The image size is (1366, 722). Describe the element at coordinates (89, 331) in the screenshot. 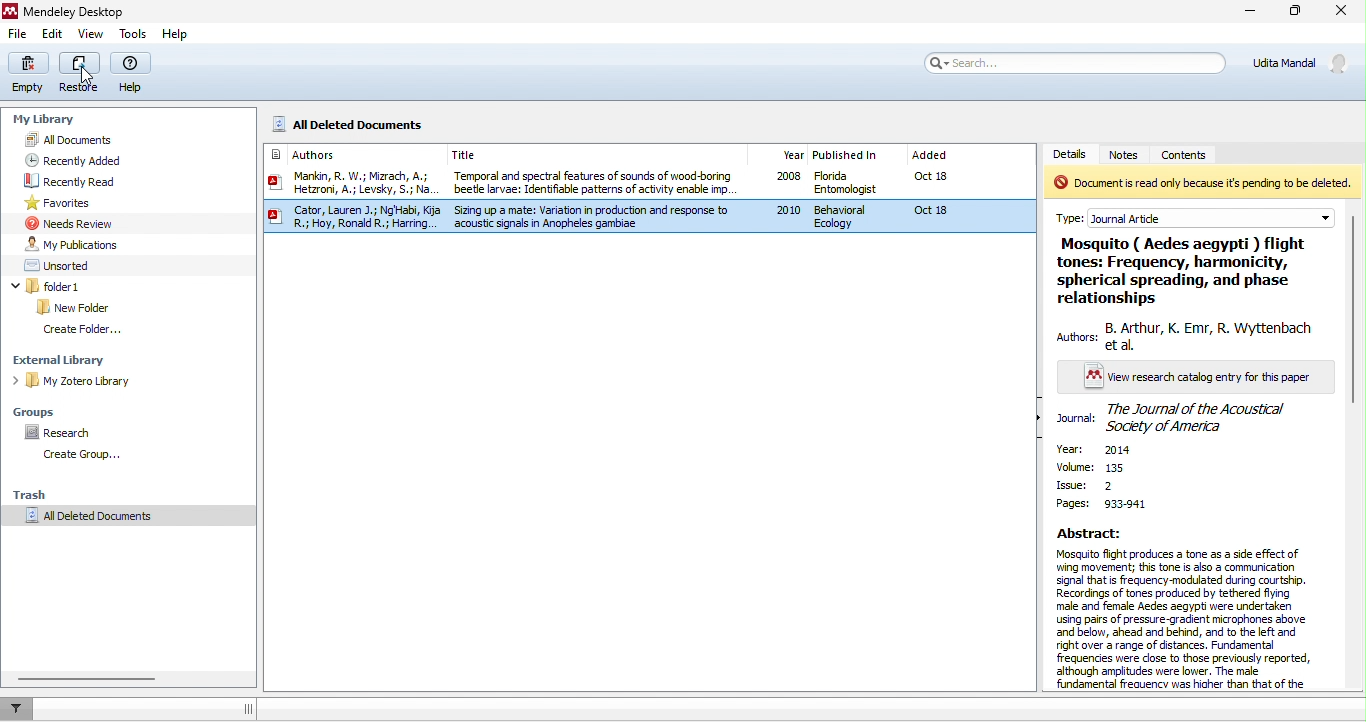

I see `create folder` at that location.